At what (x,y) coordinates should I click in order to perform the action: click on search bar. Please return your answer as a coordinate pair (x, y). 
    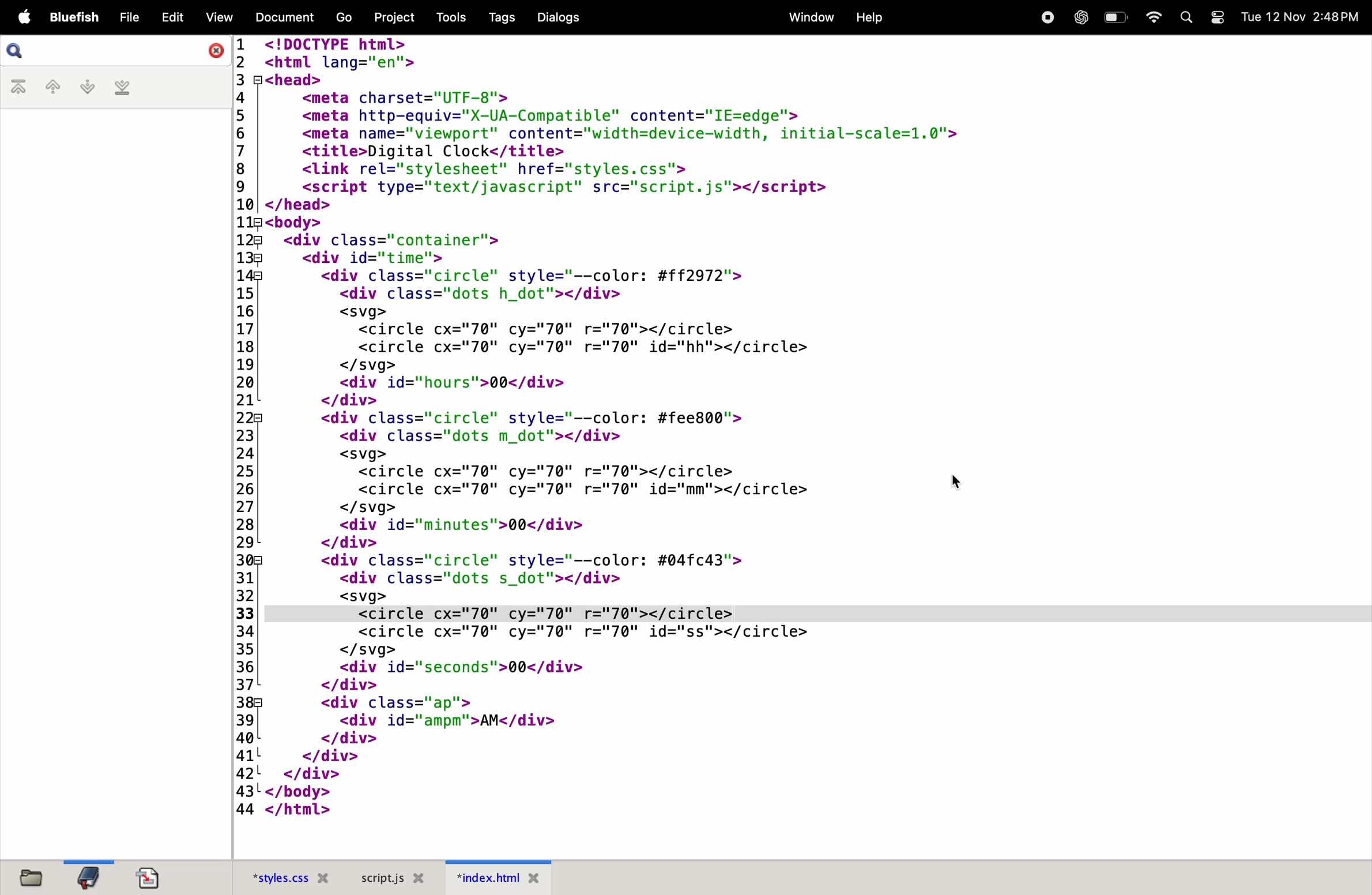
    Looking at the image, I should click on (114, 51).